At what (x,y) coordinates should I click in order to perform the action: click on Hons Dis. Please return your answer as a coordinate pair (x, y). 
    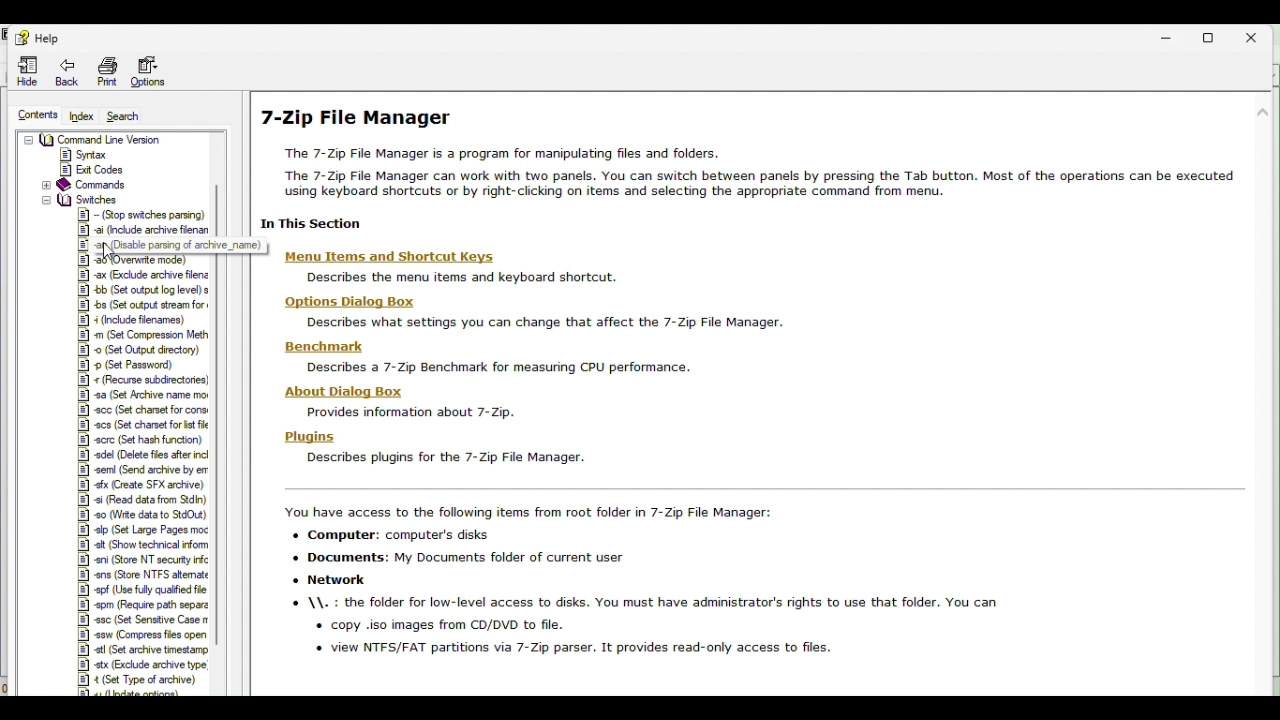
    Looking at the image, I should click on (355, 301).